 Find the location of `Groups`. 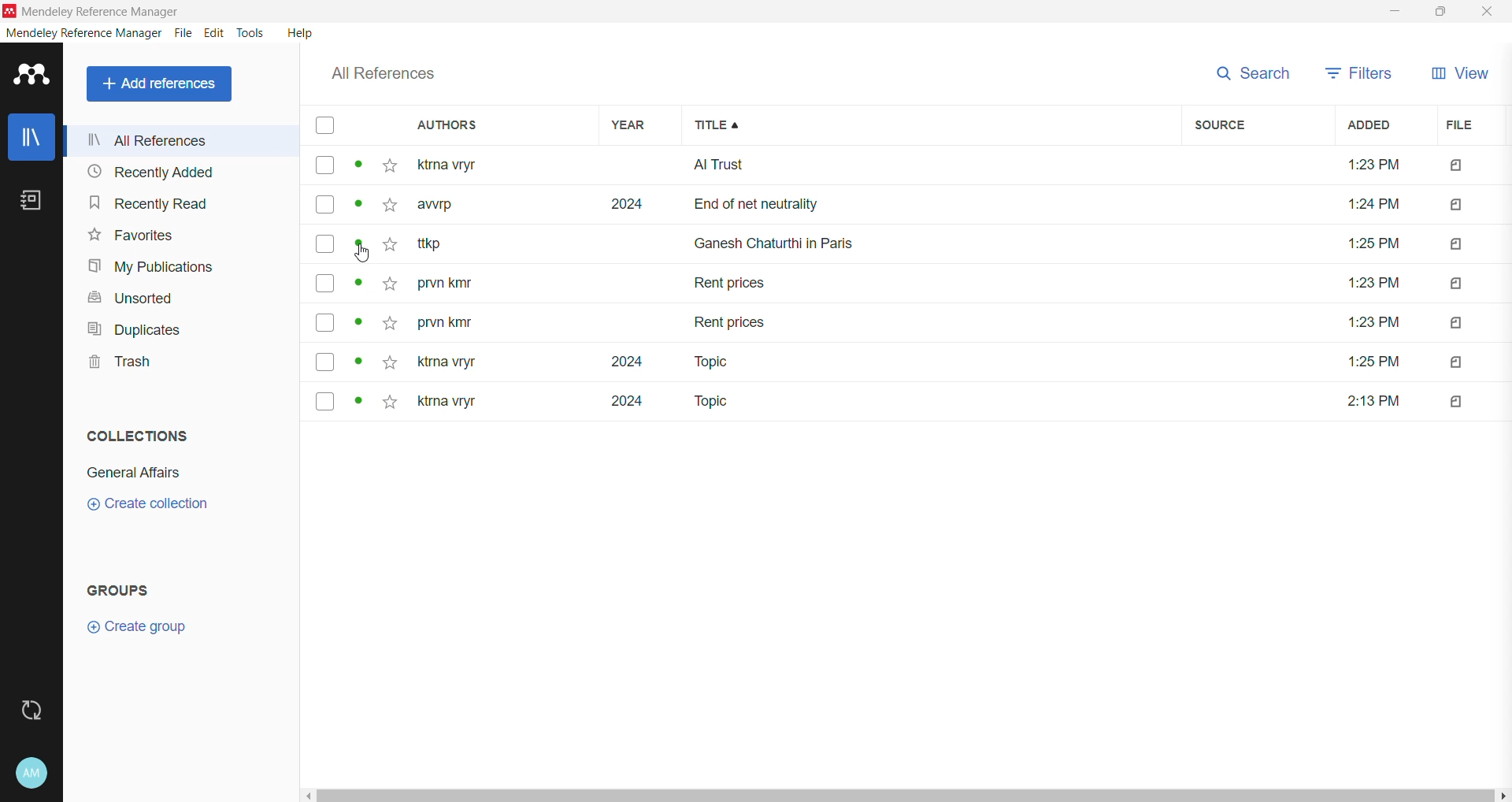

Groups is located at coordinates (134, 587).